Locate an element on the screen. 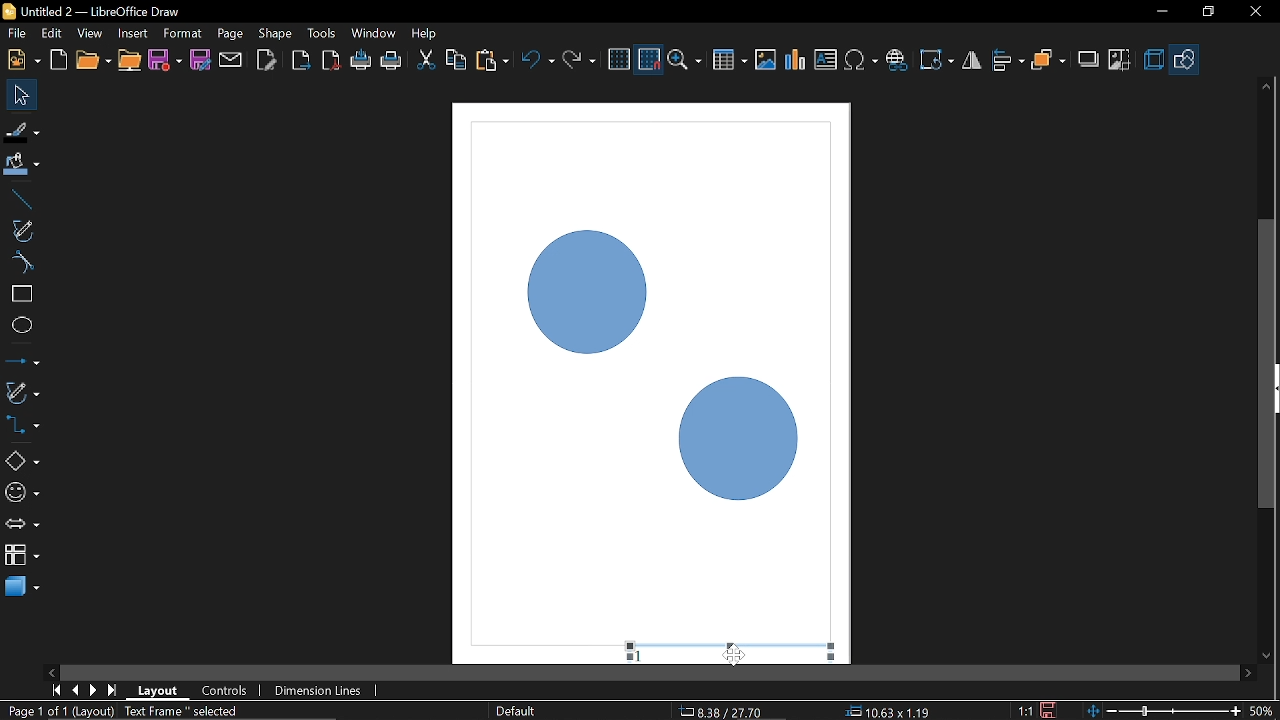 The width and height of the screenshot is (1280, 720). Shape is located at coordinates (276, 33).